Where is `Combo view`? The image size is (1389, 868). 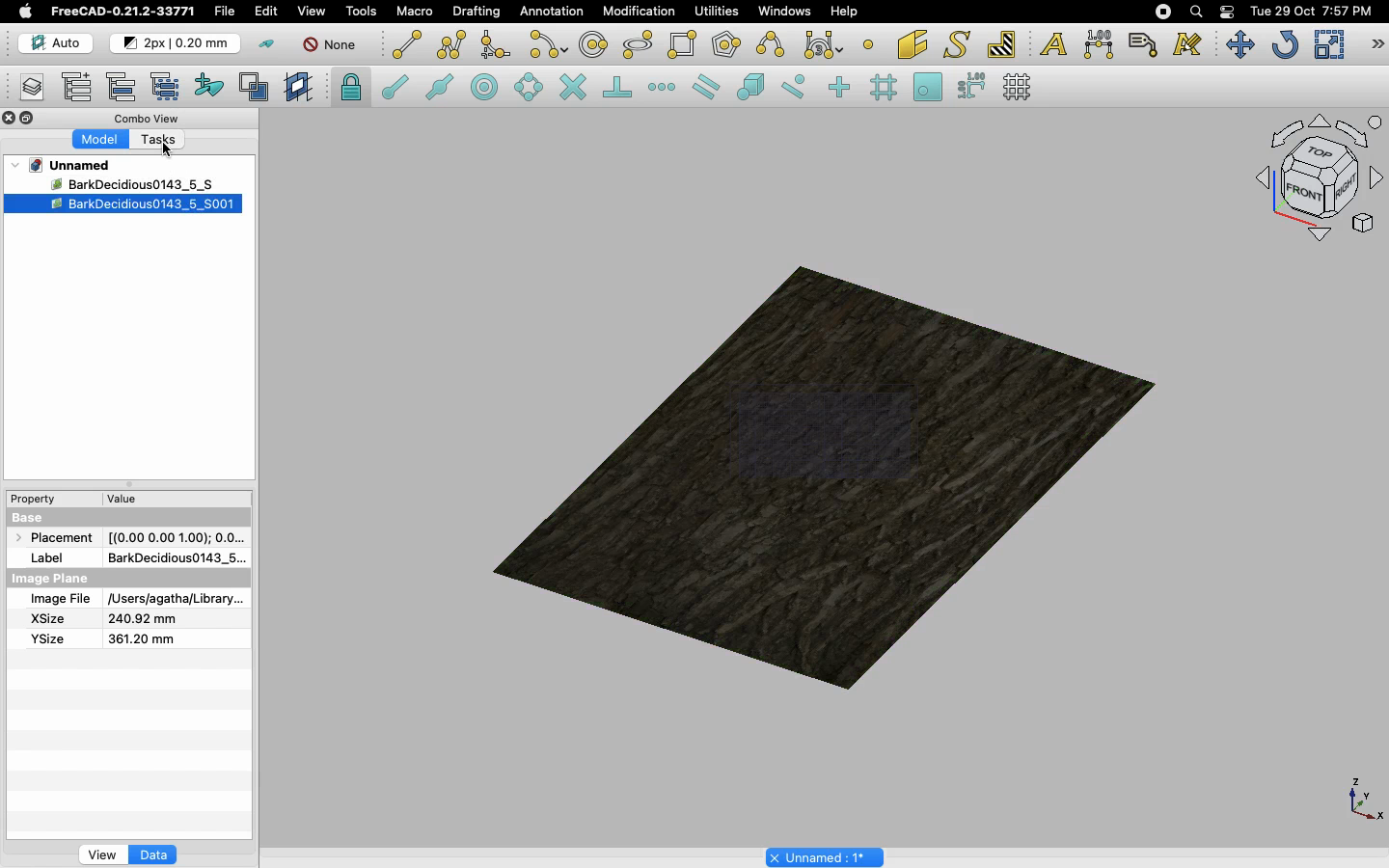
Combo view is located at coordinates (149, 118).